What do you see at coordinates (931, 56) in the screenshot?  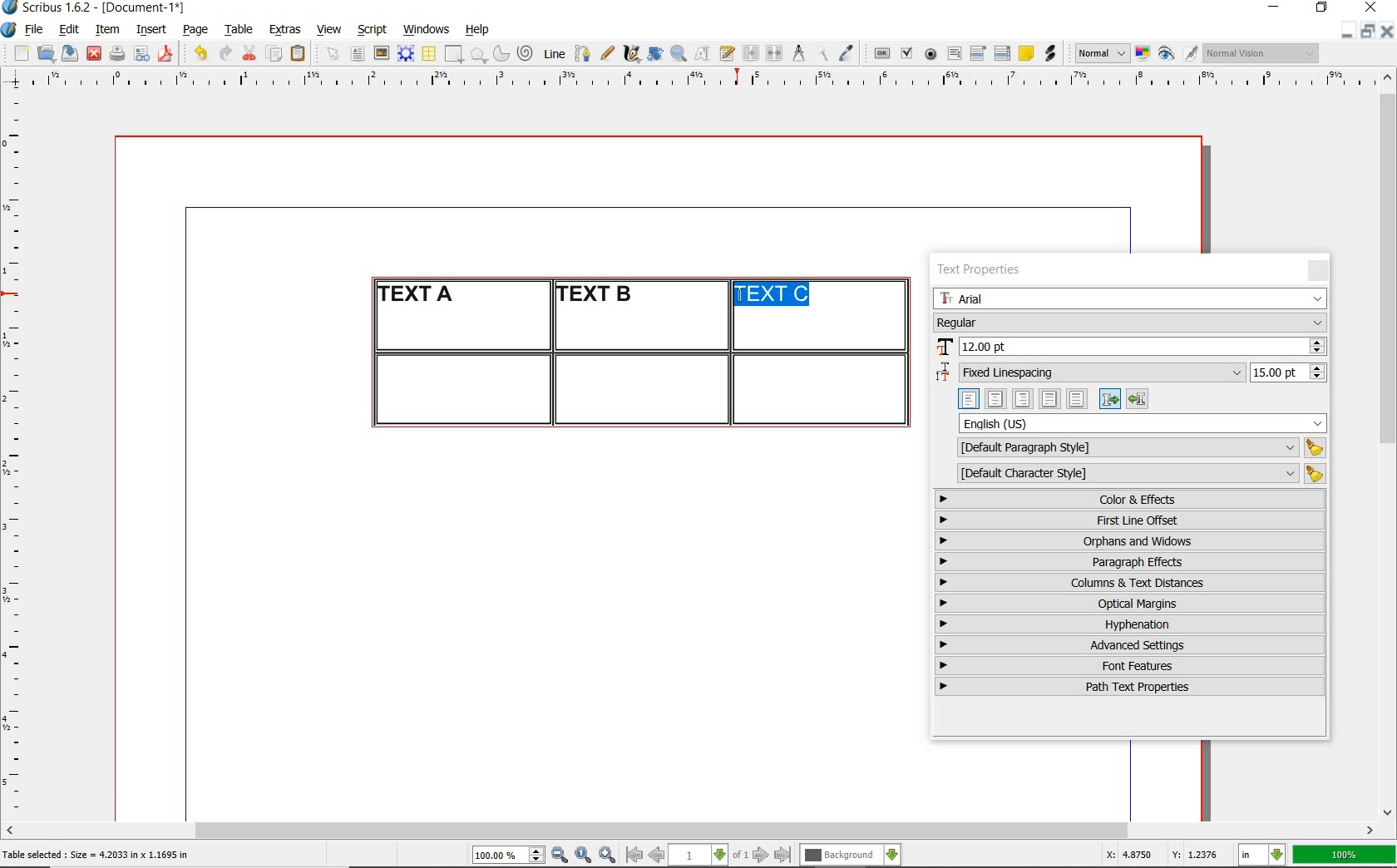 I see `pdf radio button` at bounding box center [931, 56].